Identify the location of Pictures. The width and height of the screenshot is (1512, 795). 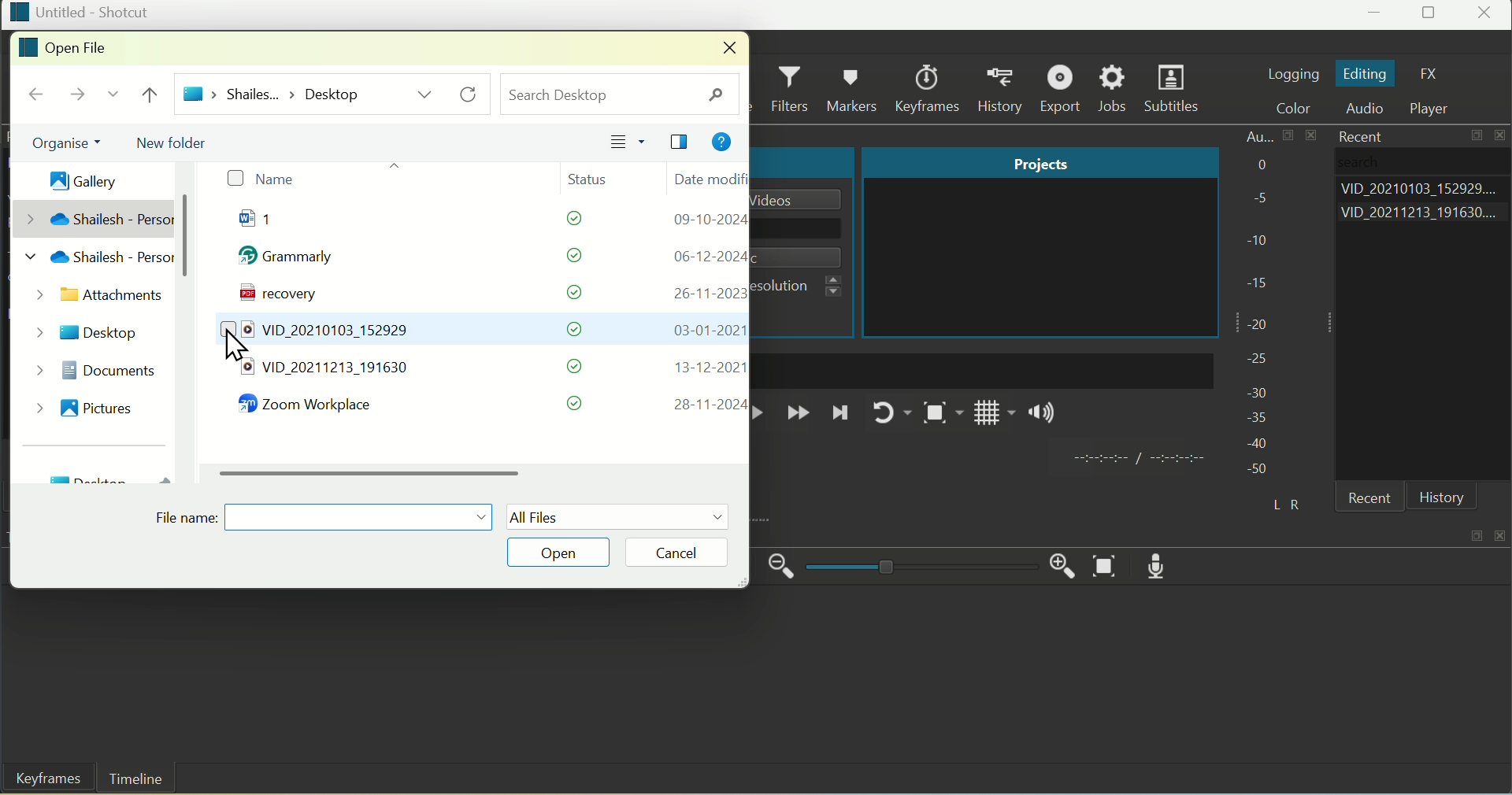
(98, 405).